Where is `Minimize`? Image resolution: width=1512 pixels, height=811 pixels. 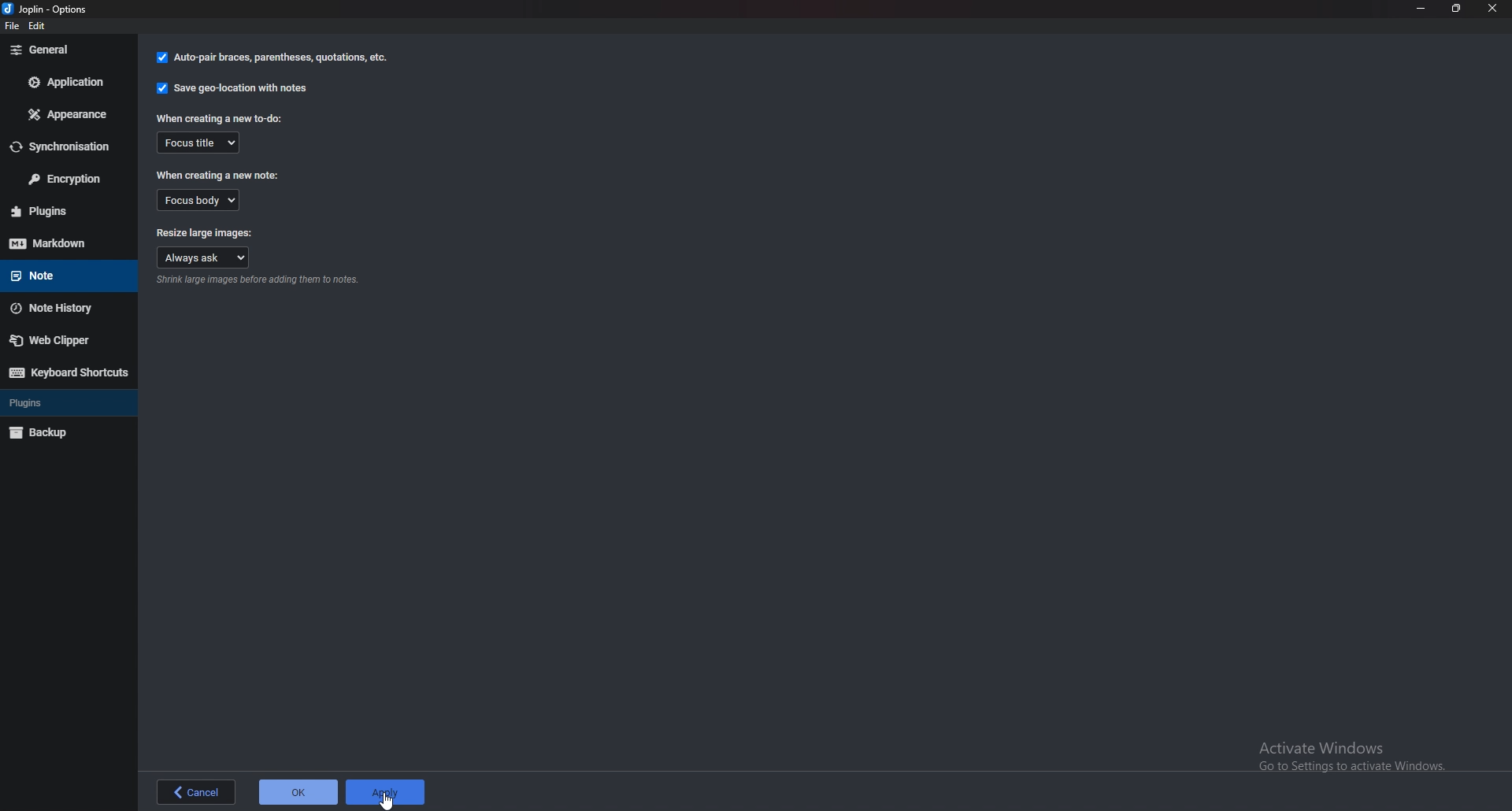 Minimize is located at coordinates (1420, 9).